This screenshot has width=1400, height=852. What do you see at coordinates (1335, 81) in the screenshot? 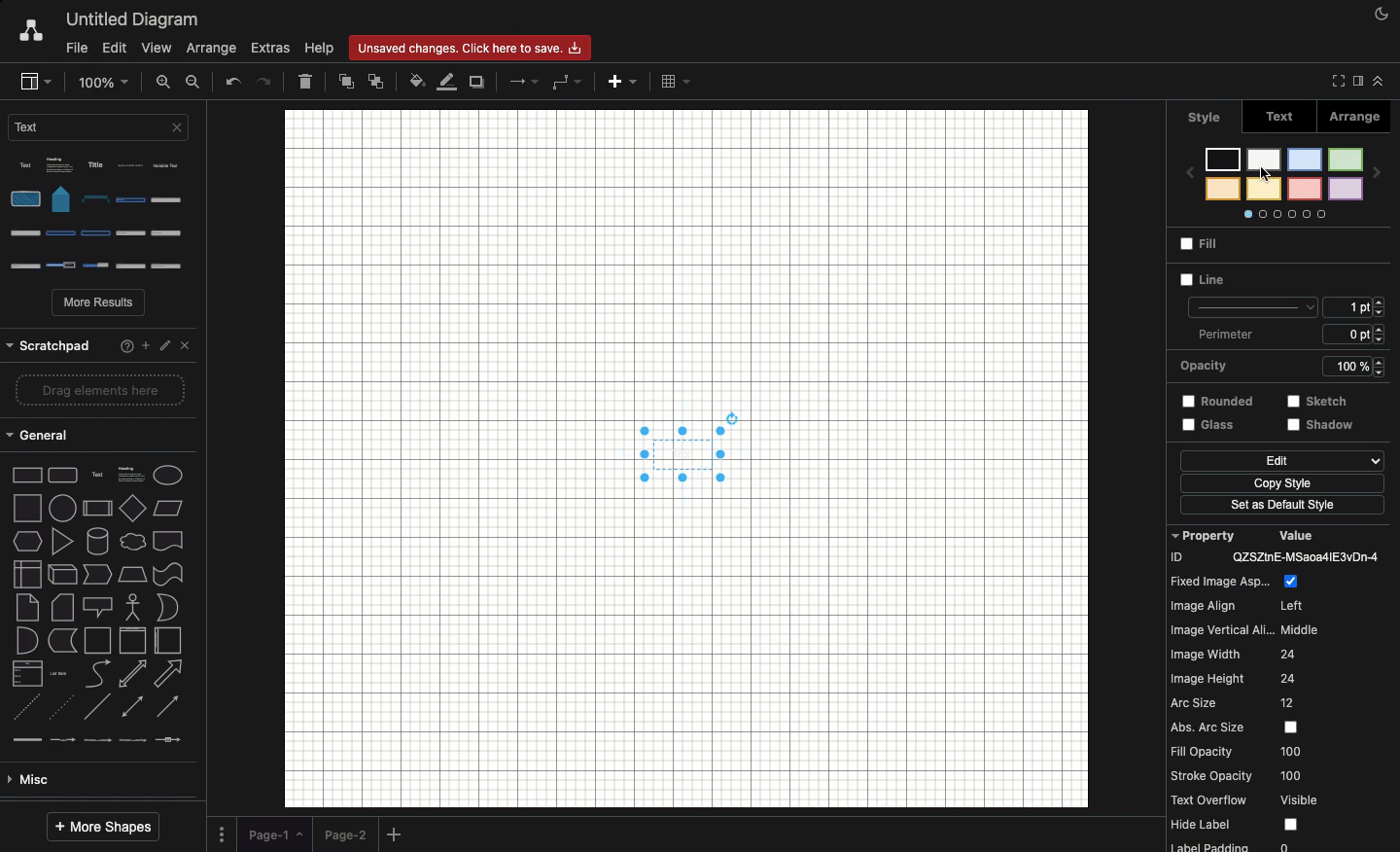
I see `Fullscreen` at bounding box center [1335, 81].